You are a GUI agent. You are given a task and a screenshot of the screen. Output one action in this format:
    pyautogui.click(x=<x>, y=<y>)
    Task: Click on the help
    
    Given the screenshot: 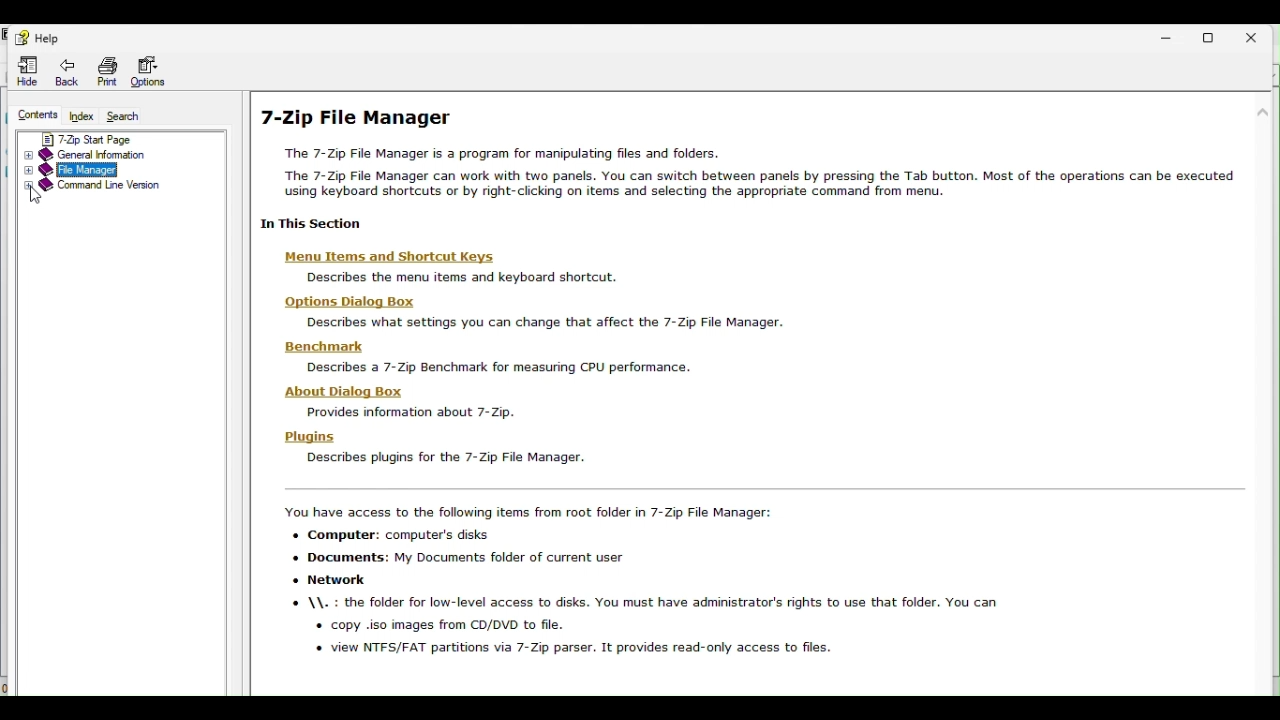 What is the action you would take?
    pyautogui.click(x=35, y=35)
    